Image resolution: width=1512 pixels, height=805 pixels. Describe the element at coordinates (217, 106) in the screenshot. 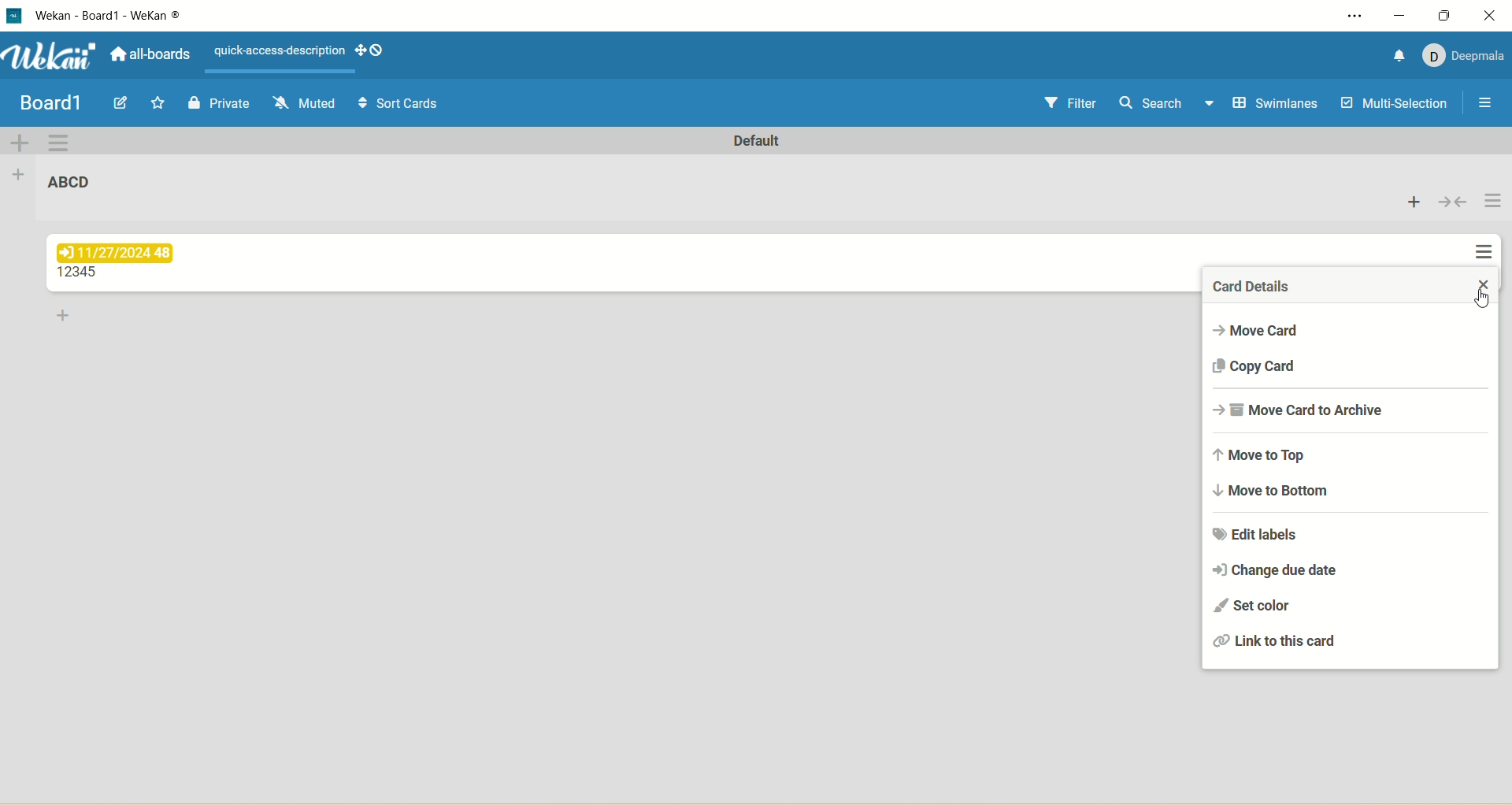

I see `private` at that location.